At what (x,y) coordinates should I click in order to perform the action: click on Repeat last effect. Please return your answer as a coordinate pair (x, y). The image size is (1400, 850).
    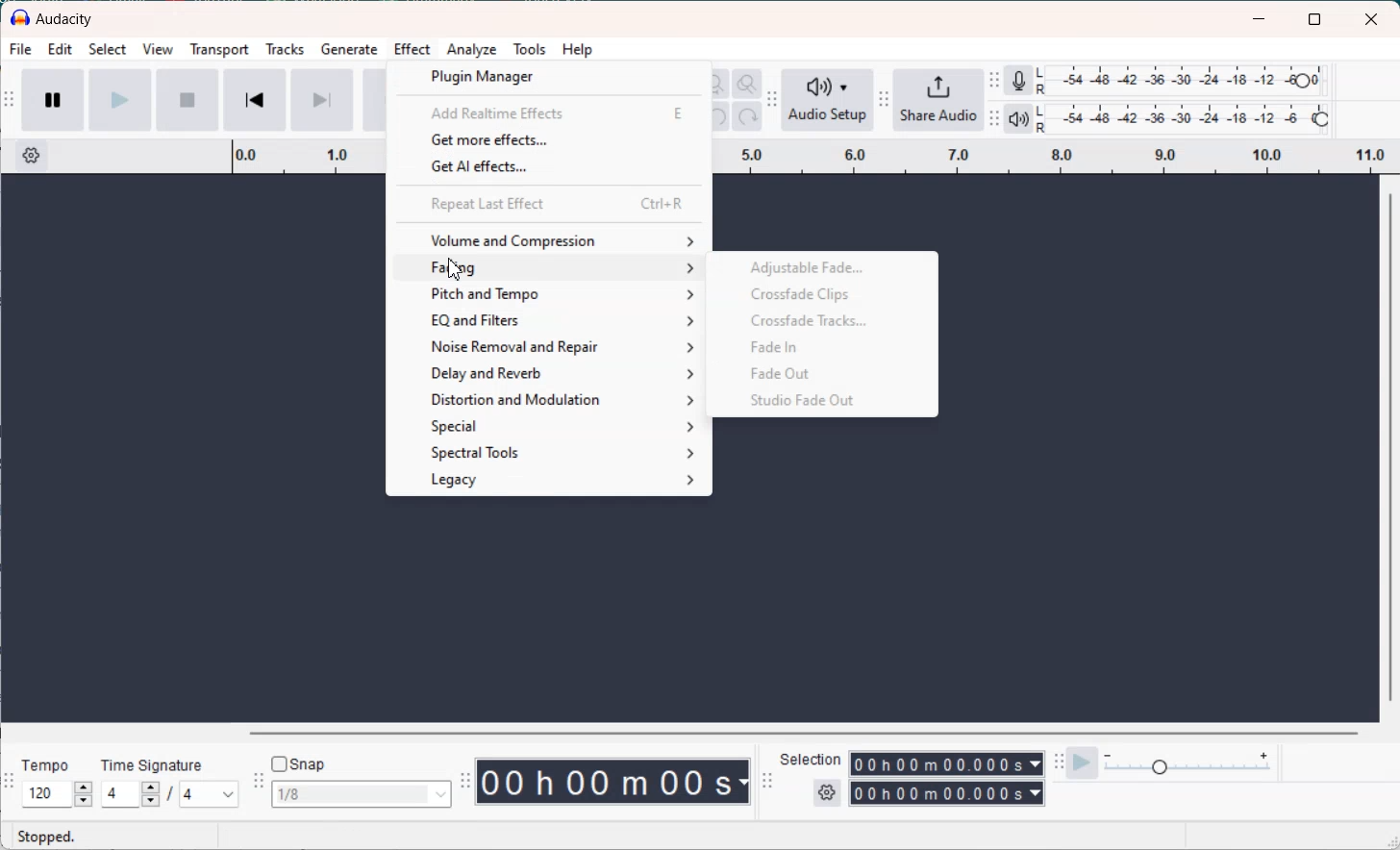
    Looking at the image, I should click on (548, 204).